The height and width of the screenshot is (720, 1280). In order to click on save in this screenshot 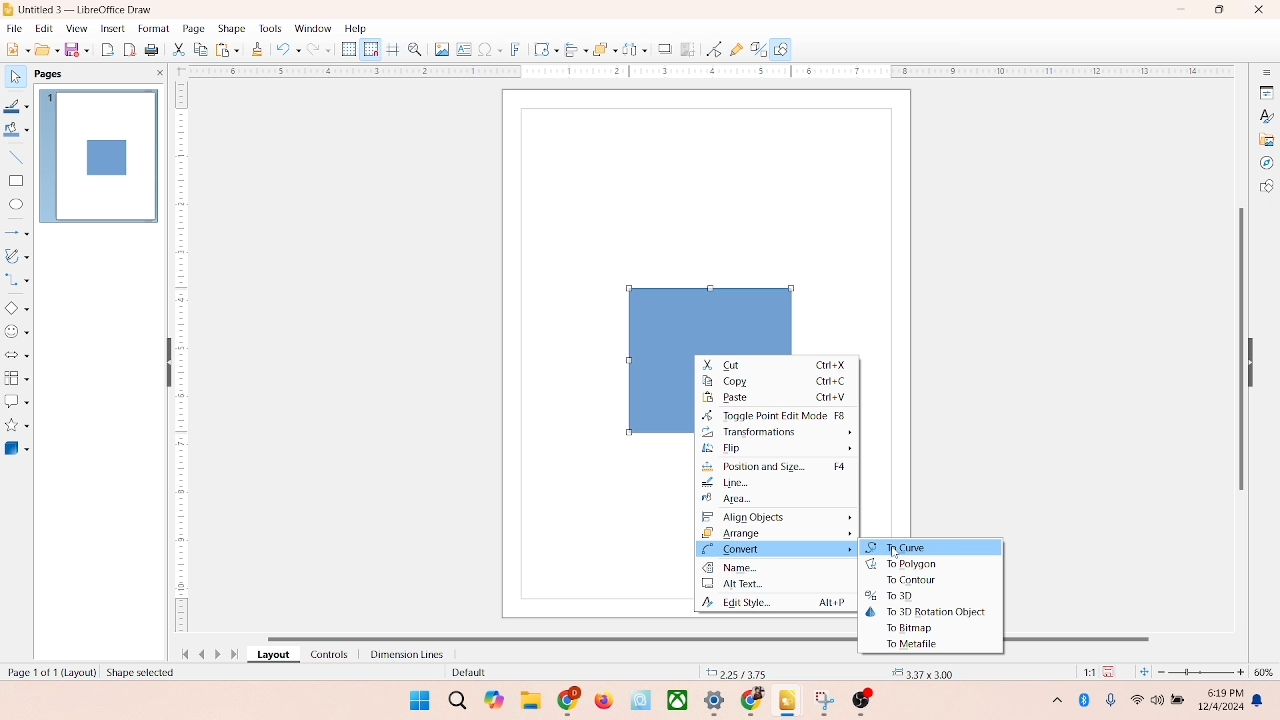, I will do `click(79, 49)`.